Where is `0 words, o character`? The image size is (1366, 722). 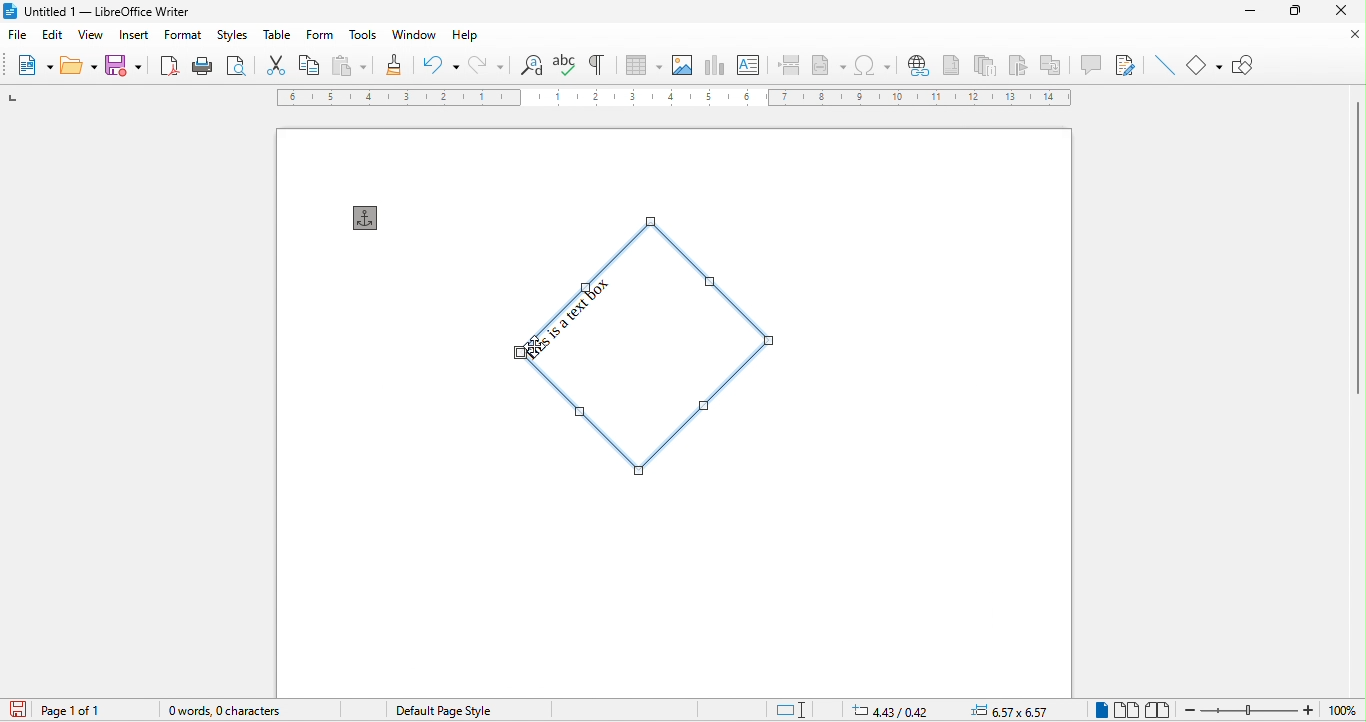 0 words, o character is located at coordinates (245, 711).